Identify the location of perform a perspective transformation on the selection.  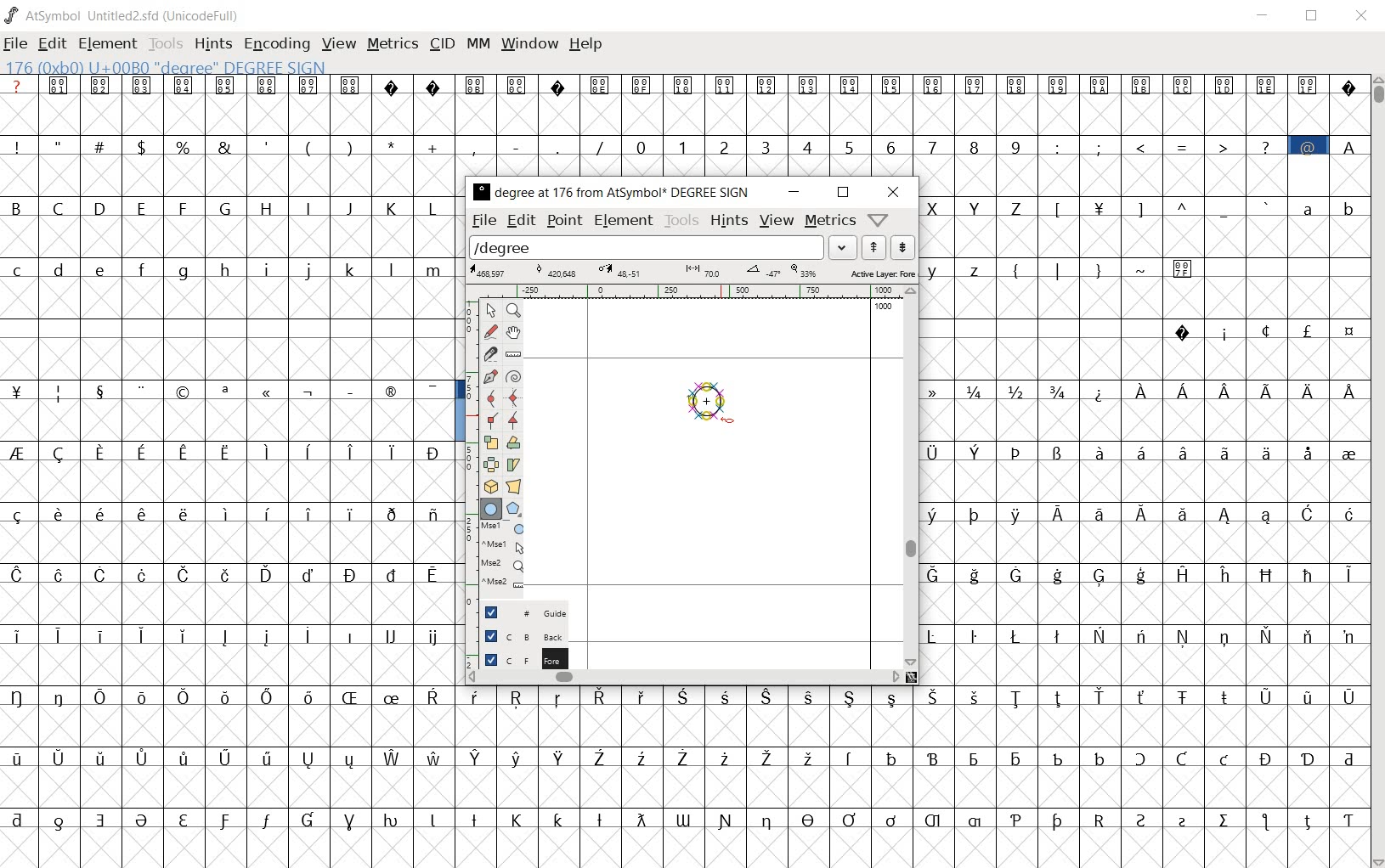
(513, 486).